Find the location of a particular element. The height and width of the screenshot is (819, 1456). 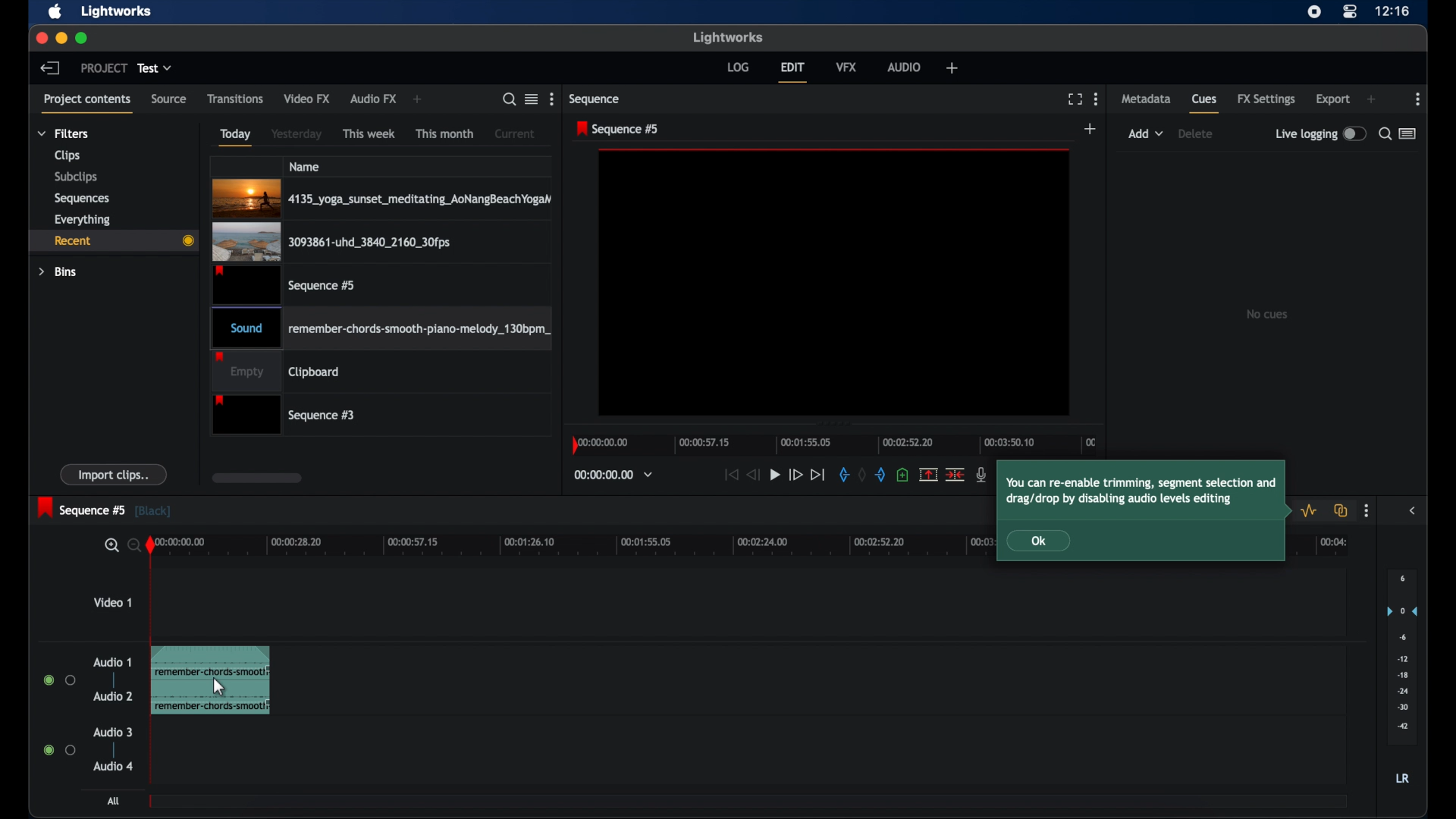

lightworks is located at coordinates (117, 11).